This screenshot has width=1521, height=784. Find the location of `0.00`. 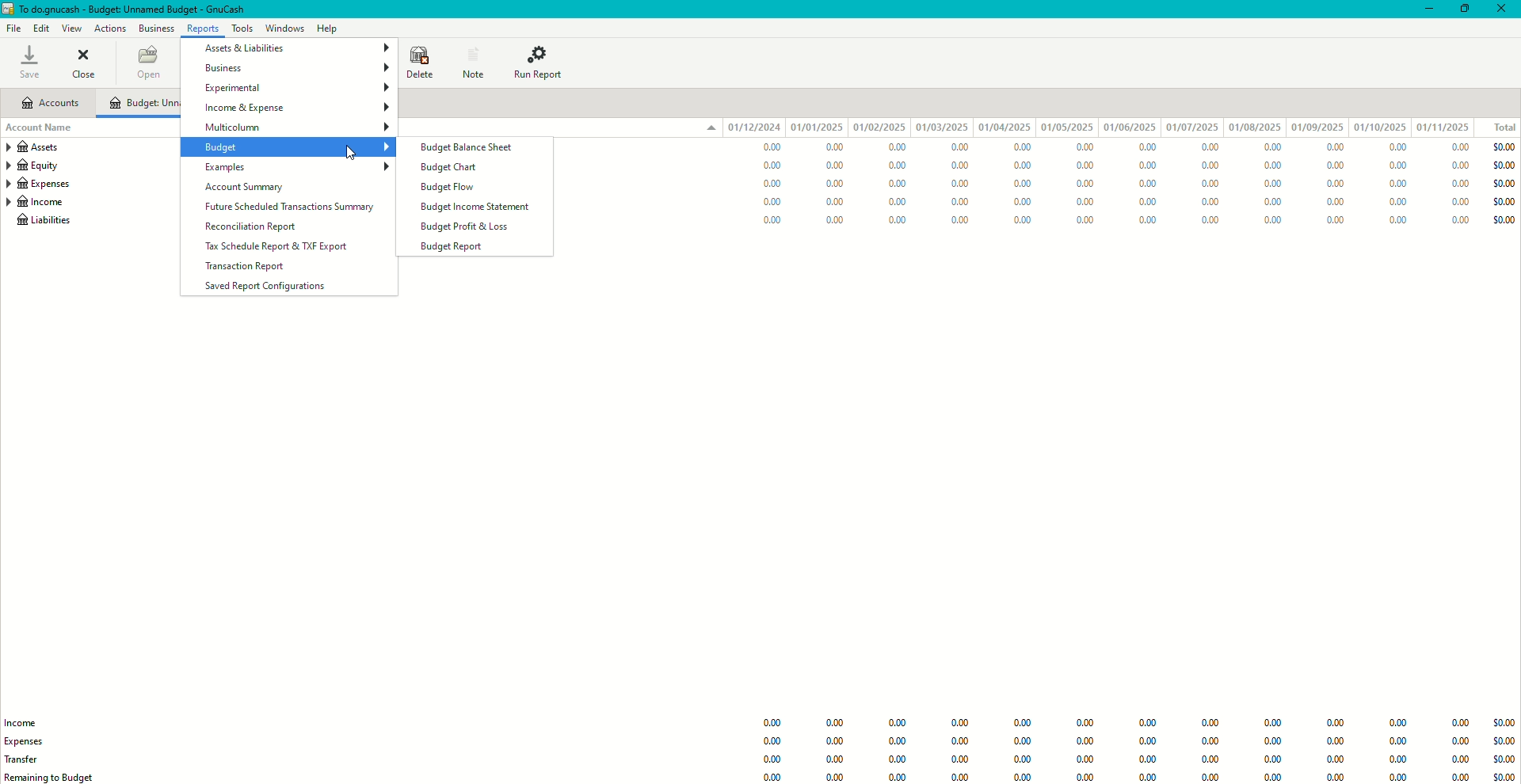

0.00 is located at coordinates (1207, 220).